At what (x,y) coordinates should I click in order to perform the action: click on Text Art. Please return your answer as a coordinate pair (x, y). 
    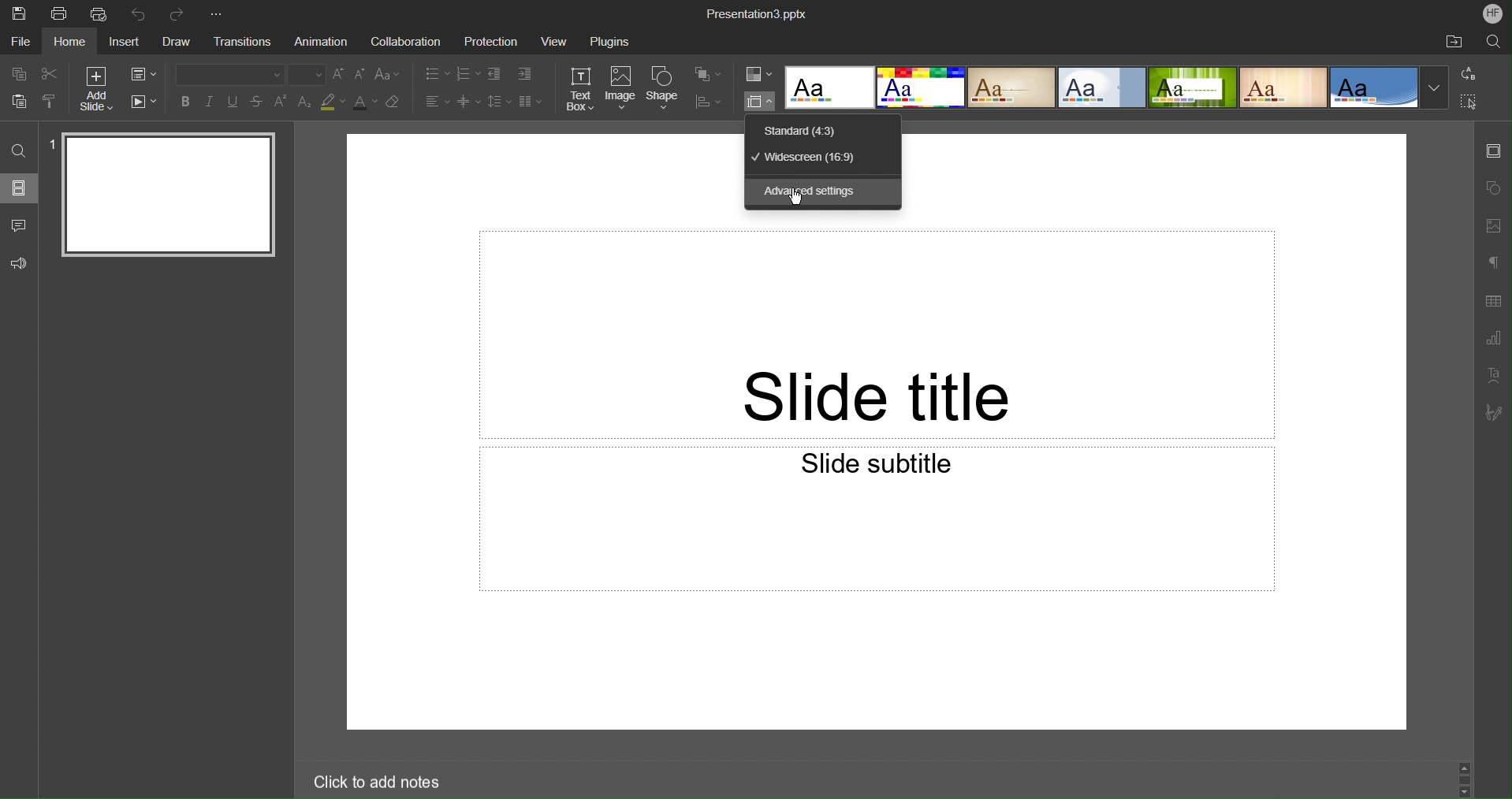
    Looking at the image, I should click on (1493, 376).